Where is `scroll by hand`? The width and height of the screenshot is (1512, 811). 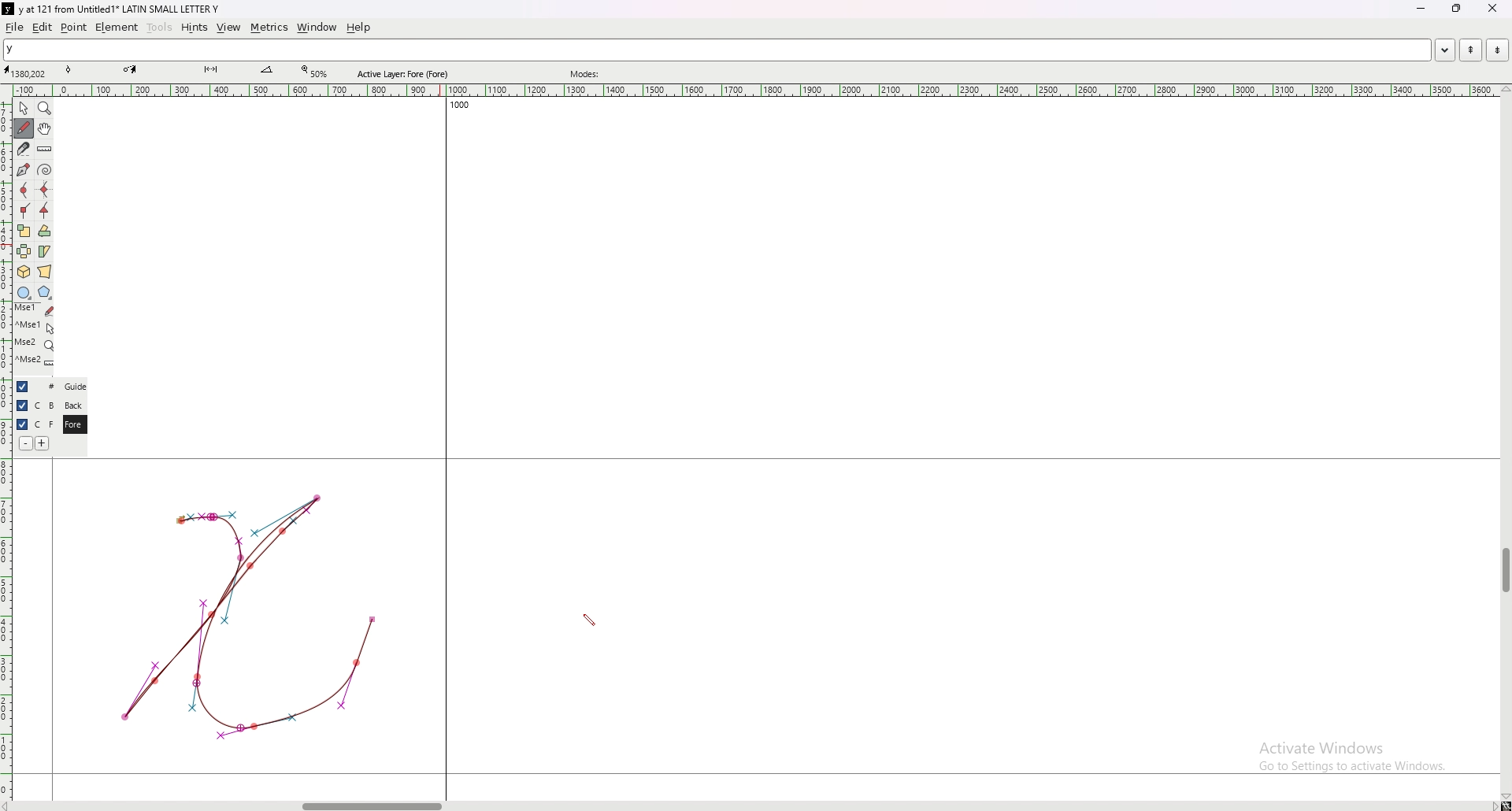
scroll by hand is located at coordinates (45, 129).